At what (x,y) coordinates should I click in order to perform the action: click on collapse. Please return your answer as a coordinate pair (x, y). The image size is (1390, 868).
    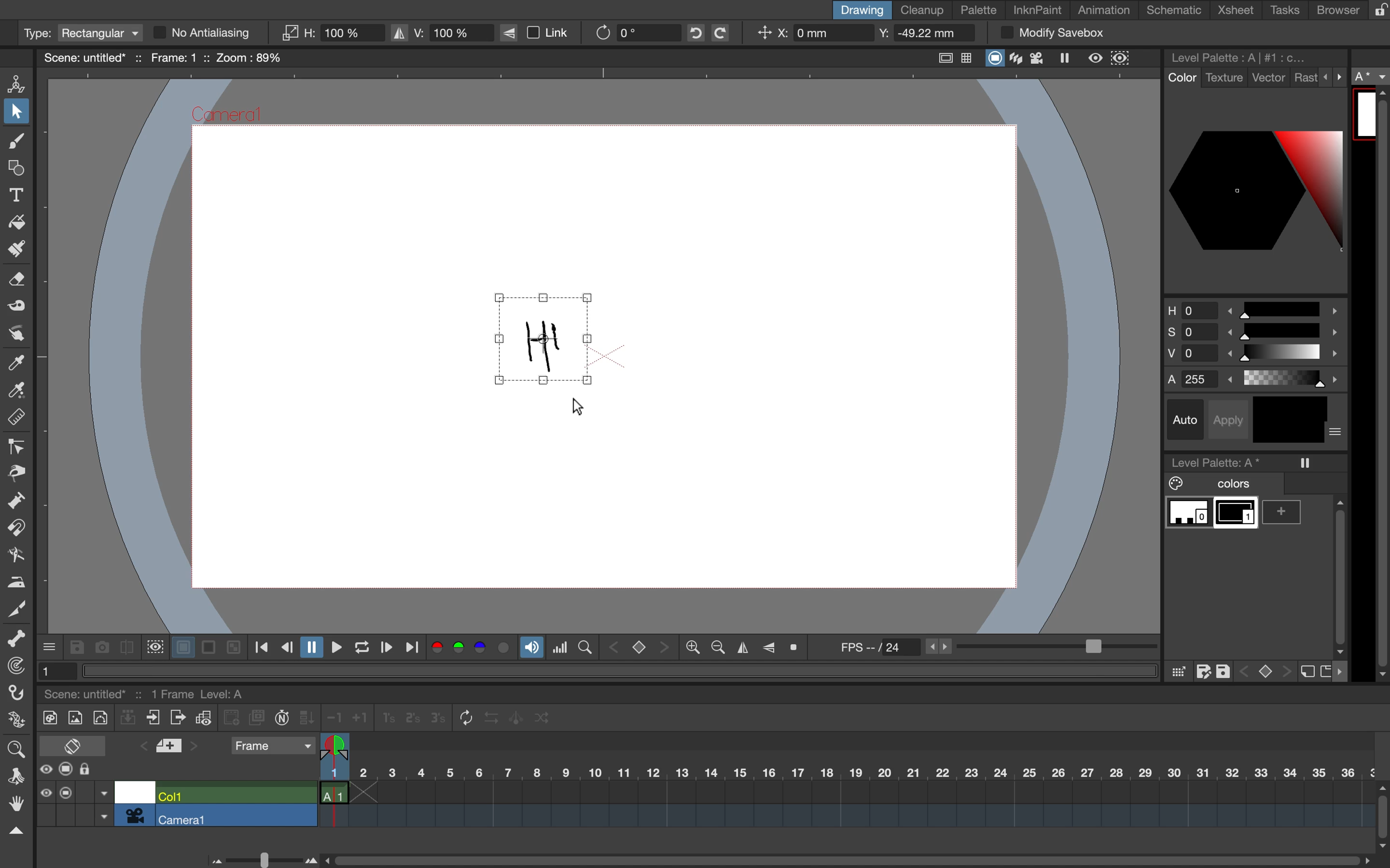
    Looking at the image, I should click on (128, 719).